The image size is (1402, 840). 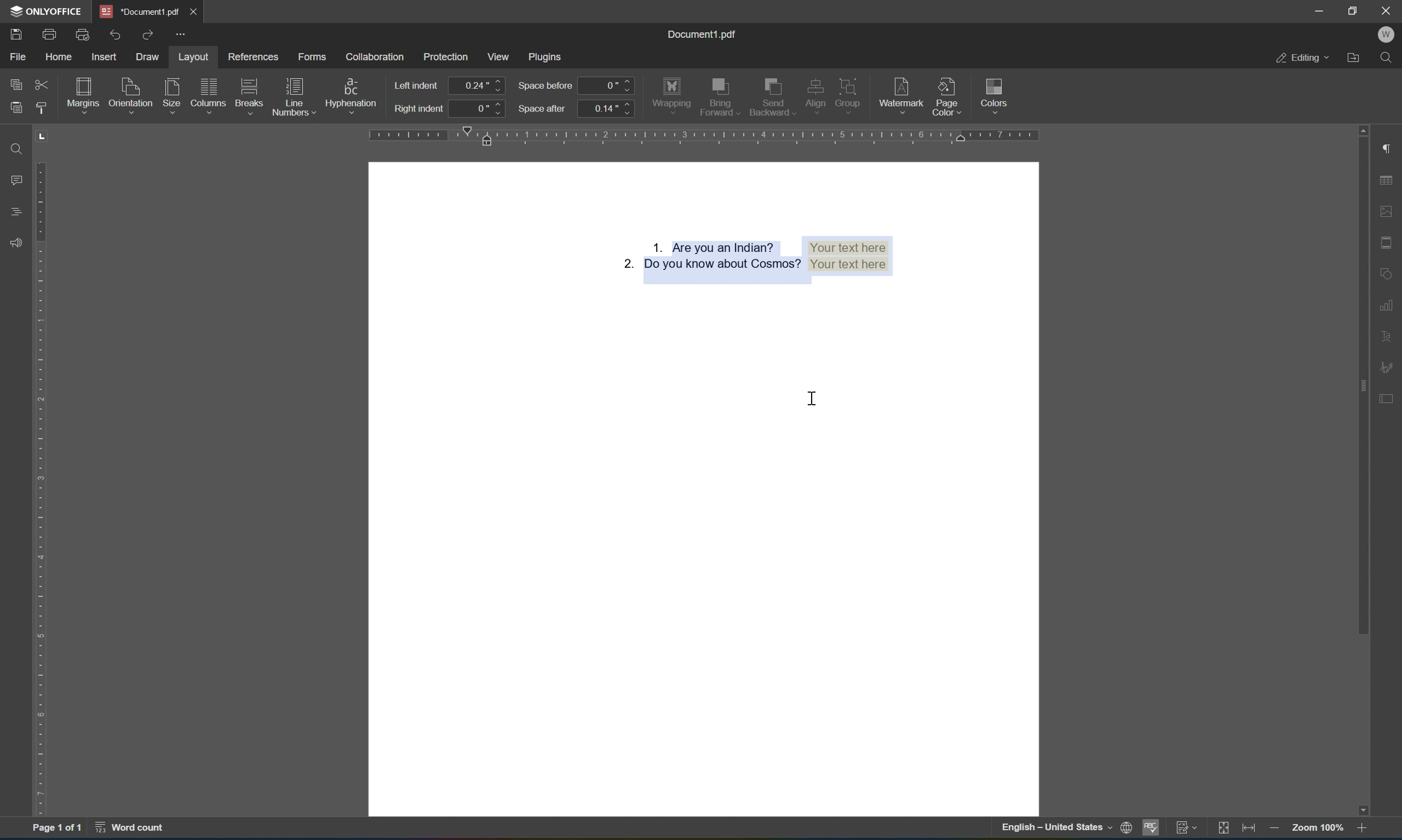 What do you see at coordinates (1390, 334) in the screenshot?
I see `text art settings` at bounding box center [1390, 334].